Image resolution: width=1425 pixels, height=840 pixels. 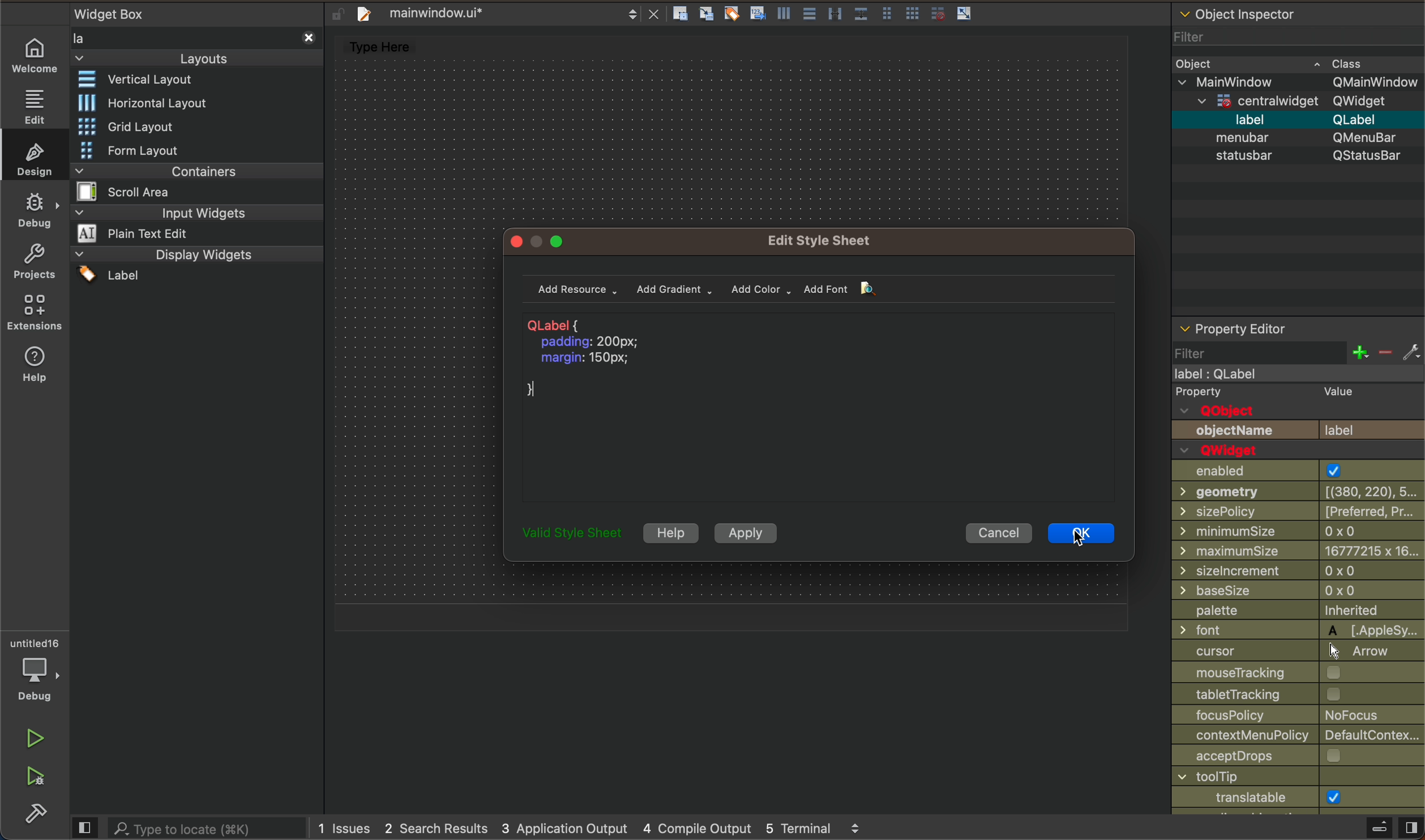 I want to click on menubar, so click(x=1302, y=138).